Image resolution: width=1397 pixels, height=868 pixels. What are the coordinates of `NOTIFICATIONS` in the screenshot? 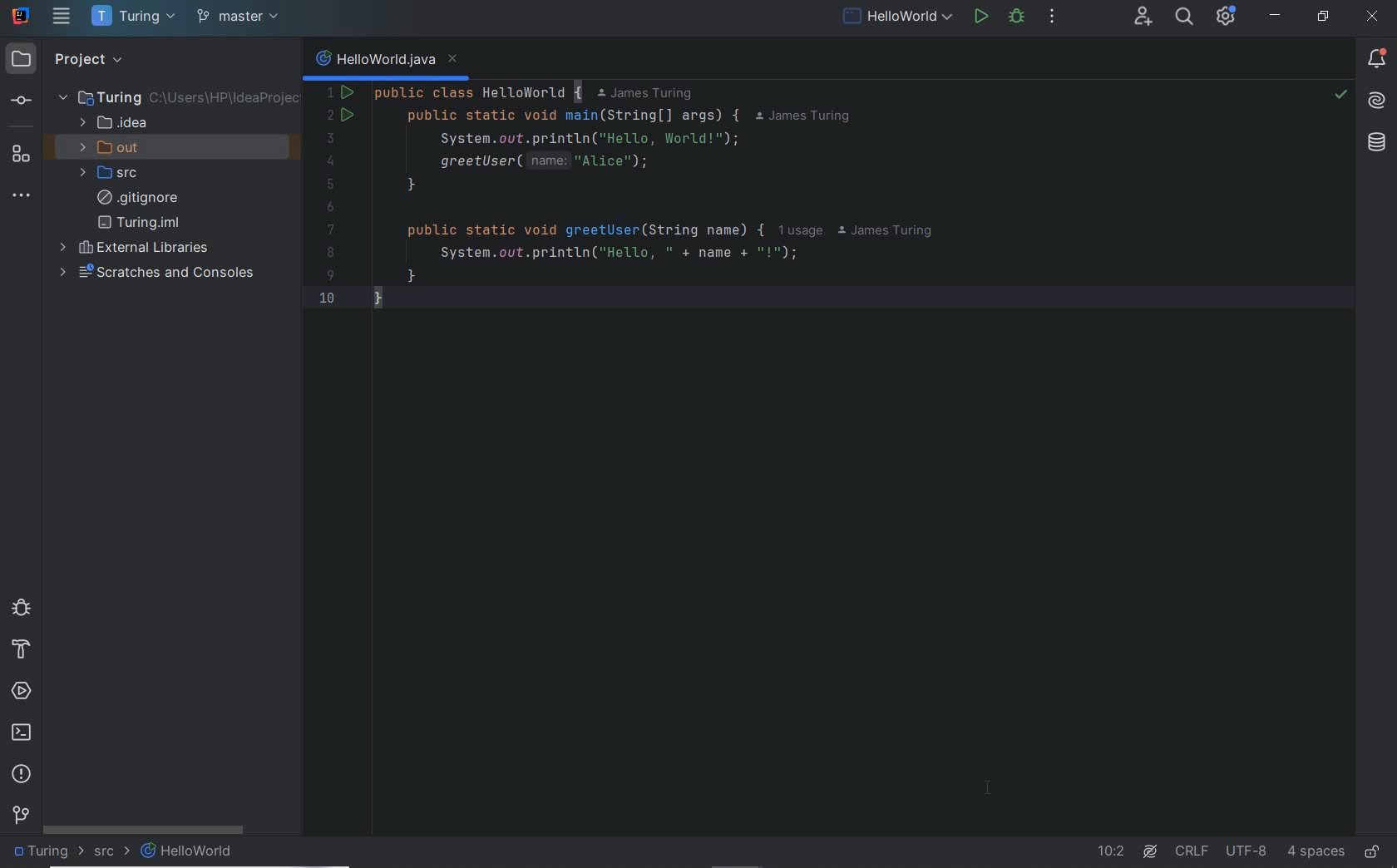 It's located at (1377, 60).